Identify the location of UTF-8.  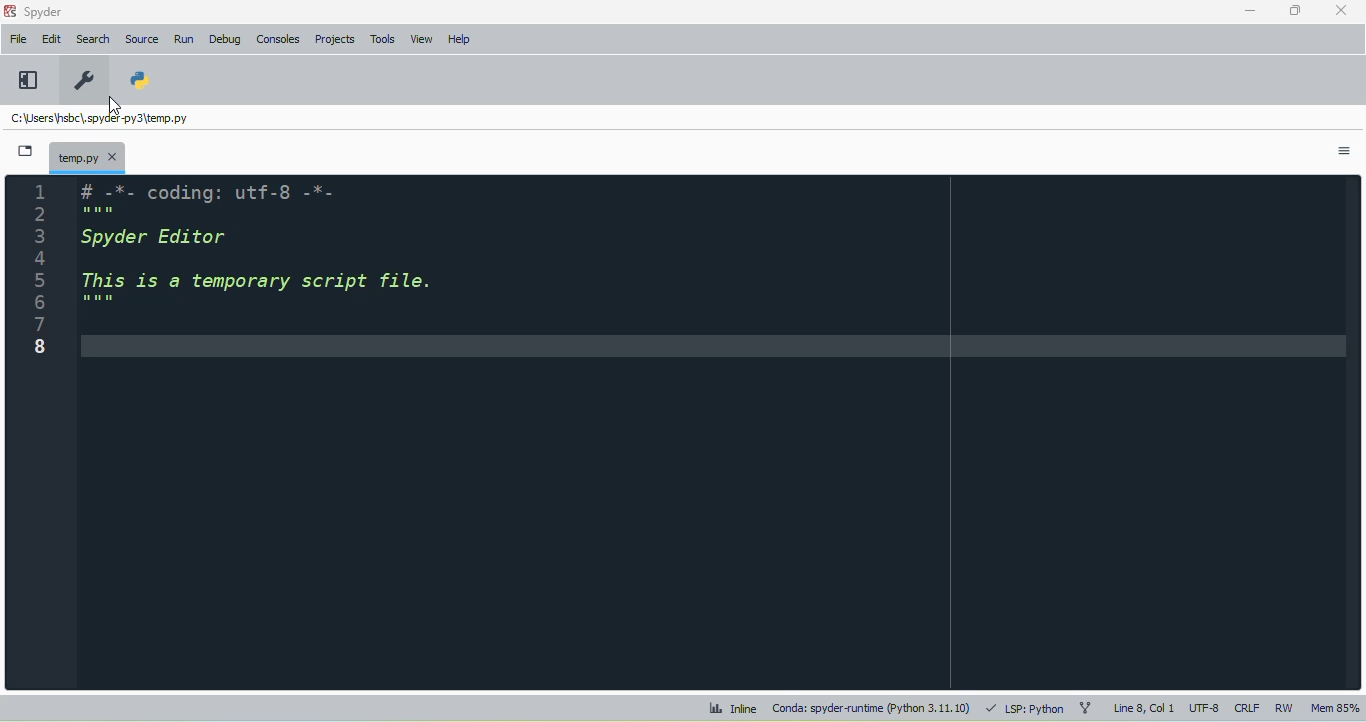
(1205, 707).